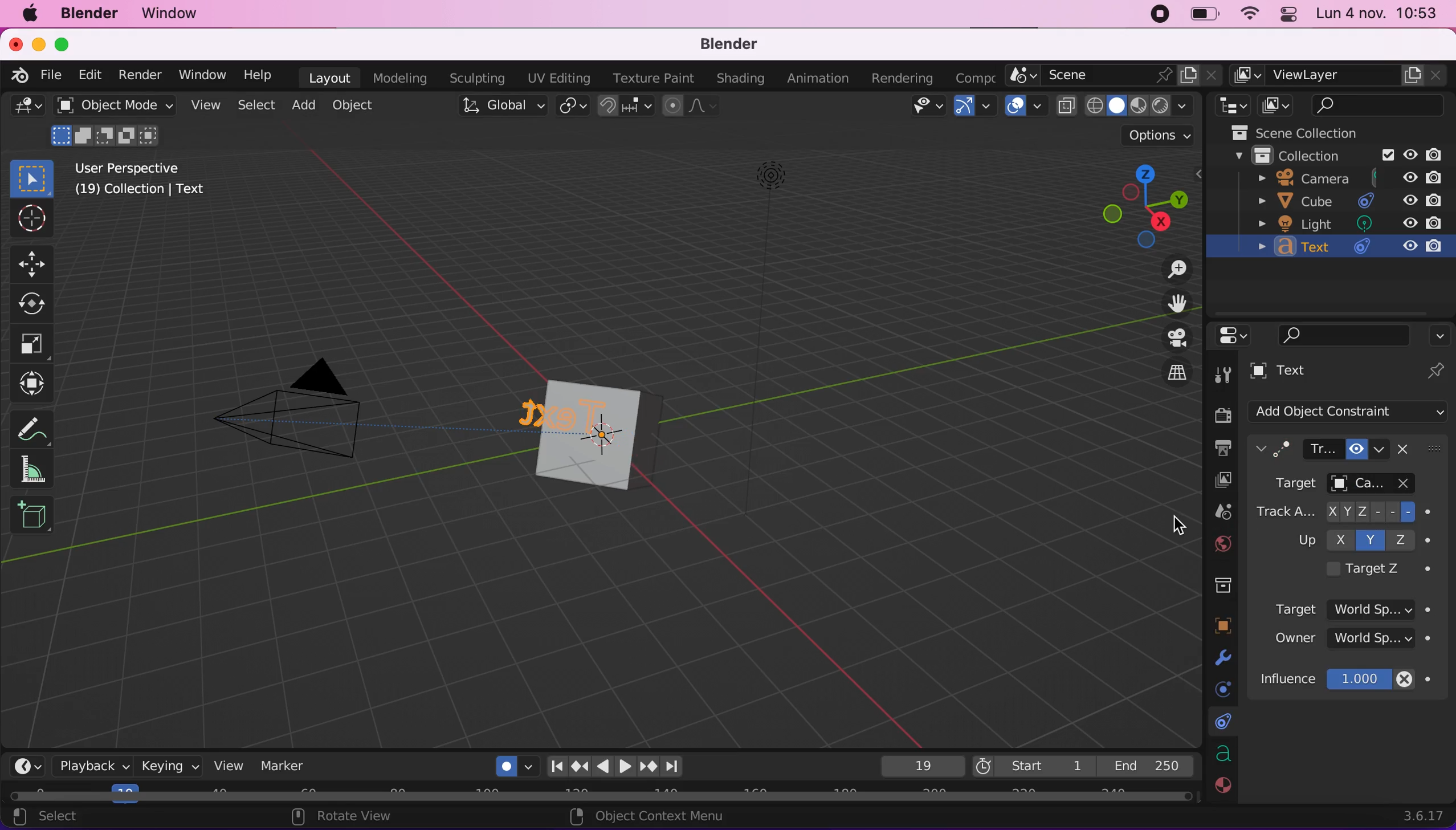 Image resolution: width=1456 pixels, height=830 pixels. What do you see at coordinates (1223, 543) in the screenshot?
I see `world` at bounding box center [1223, 543].